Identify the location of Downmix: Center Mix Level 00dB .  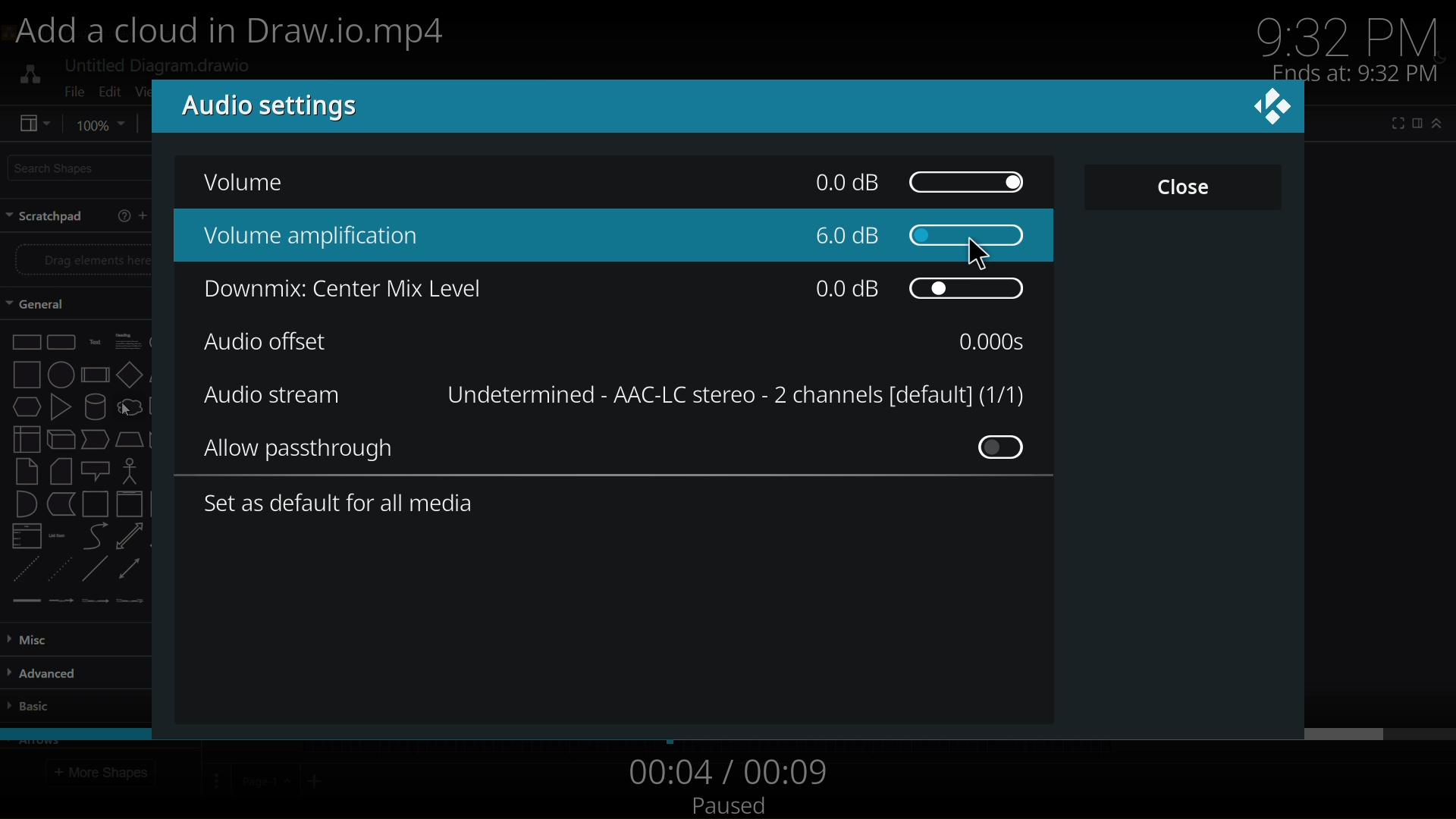
(606, 292).